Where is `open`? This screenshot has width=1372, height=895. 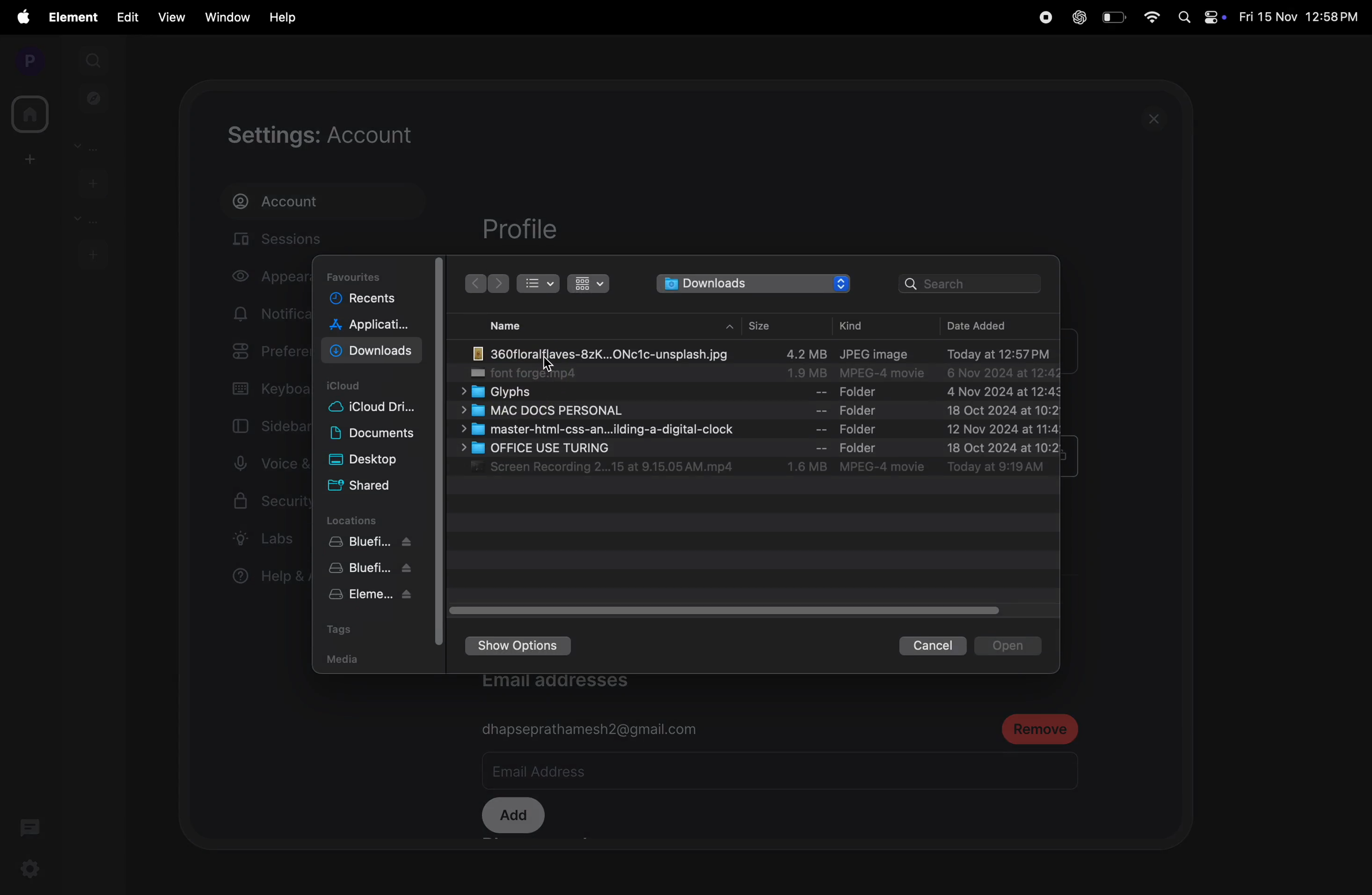 open is located at coordinates (1009, 646).